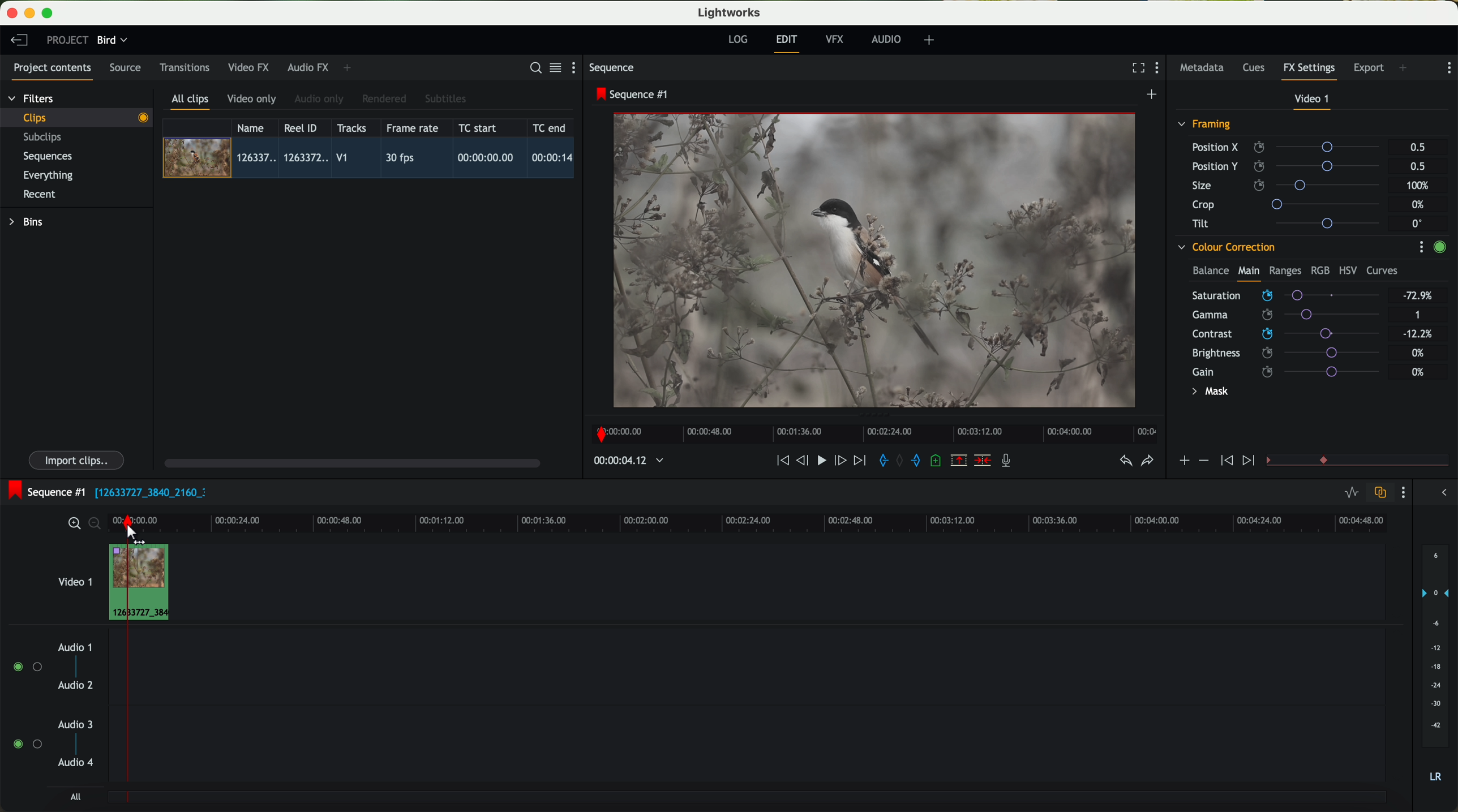 This screenshot has width=1458, height=812. What do you see at coordinates (900, 461) in the screenshot?
I see `clear marks` at bounding box center [900, 461].